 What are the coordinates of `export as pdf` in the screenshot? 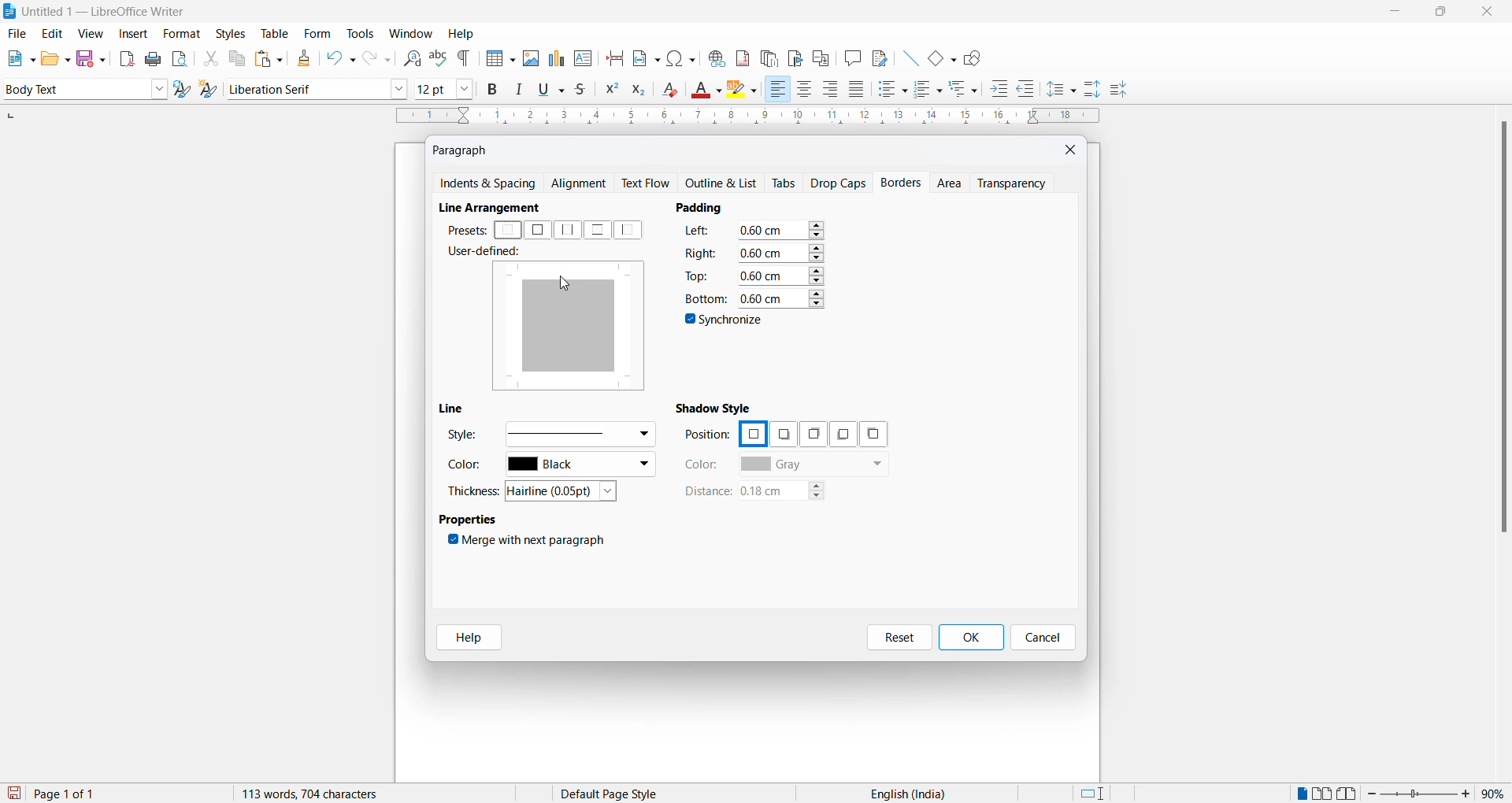 It's located at (128, 57).